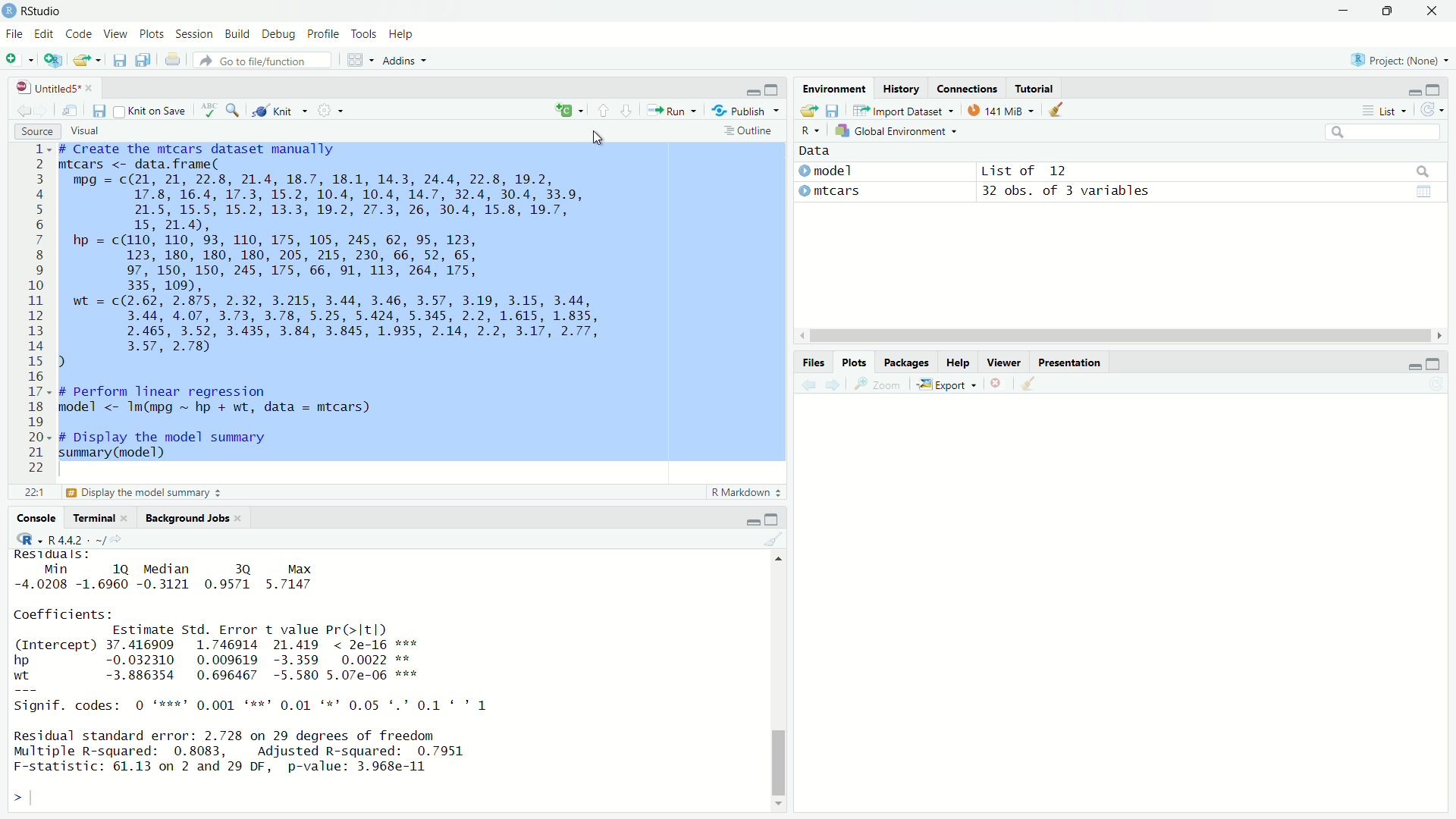 This screenshot has height=819, width=1456. What do you see at coordinates (1423, 173) in the screenshot?
I see `search` at bounding box center [1423, 173].